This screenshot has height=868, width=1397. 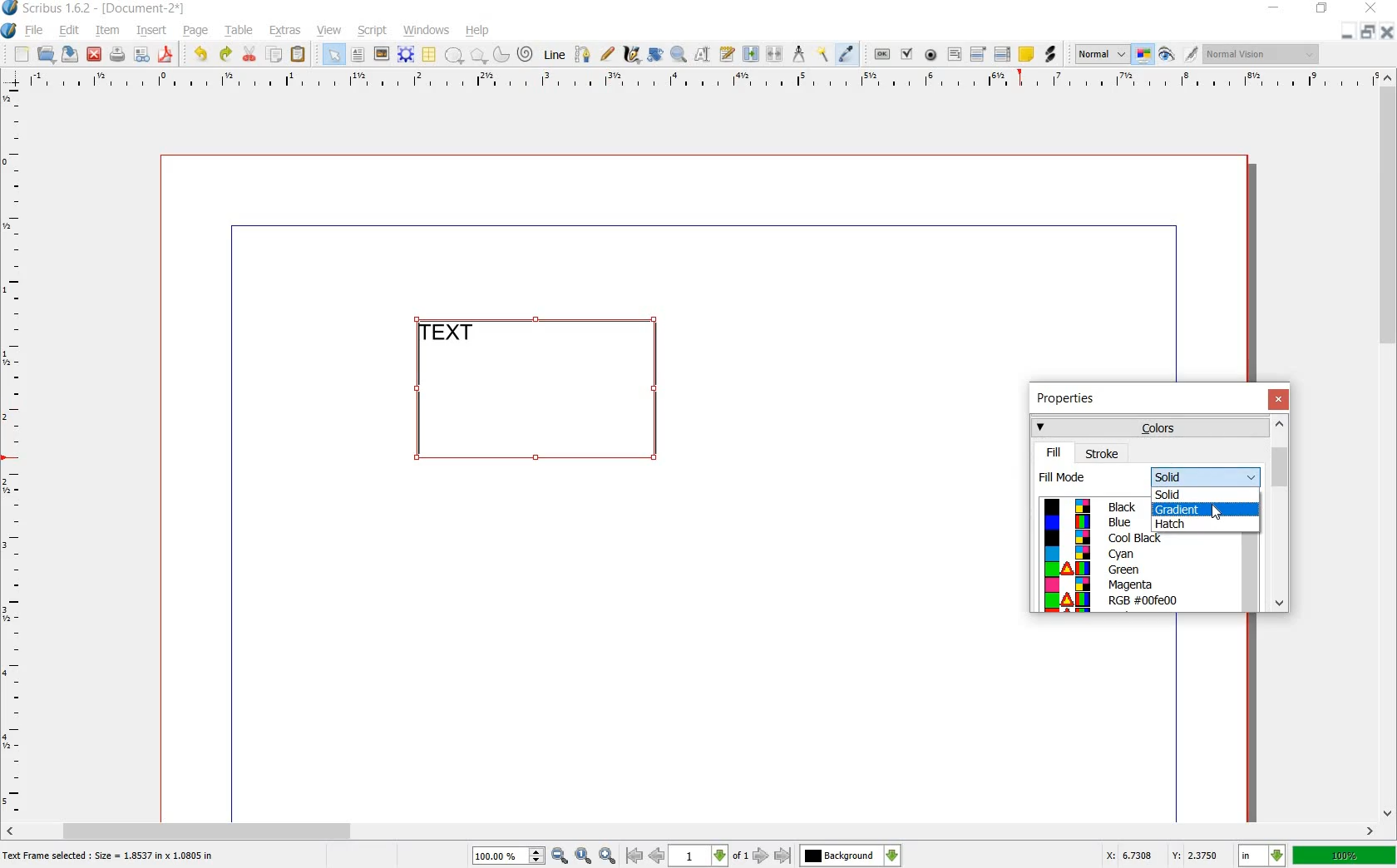 I want to click on Green, so click(x=1127, y=570).